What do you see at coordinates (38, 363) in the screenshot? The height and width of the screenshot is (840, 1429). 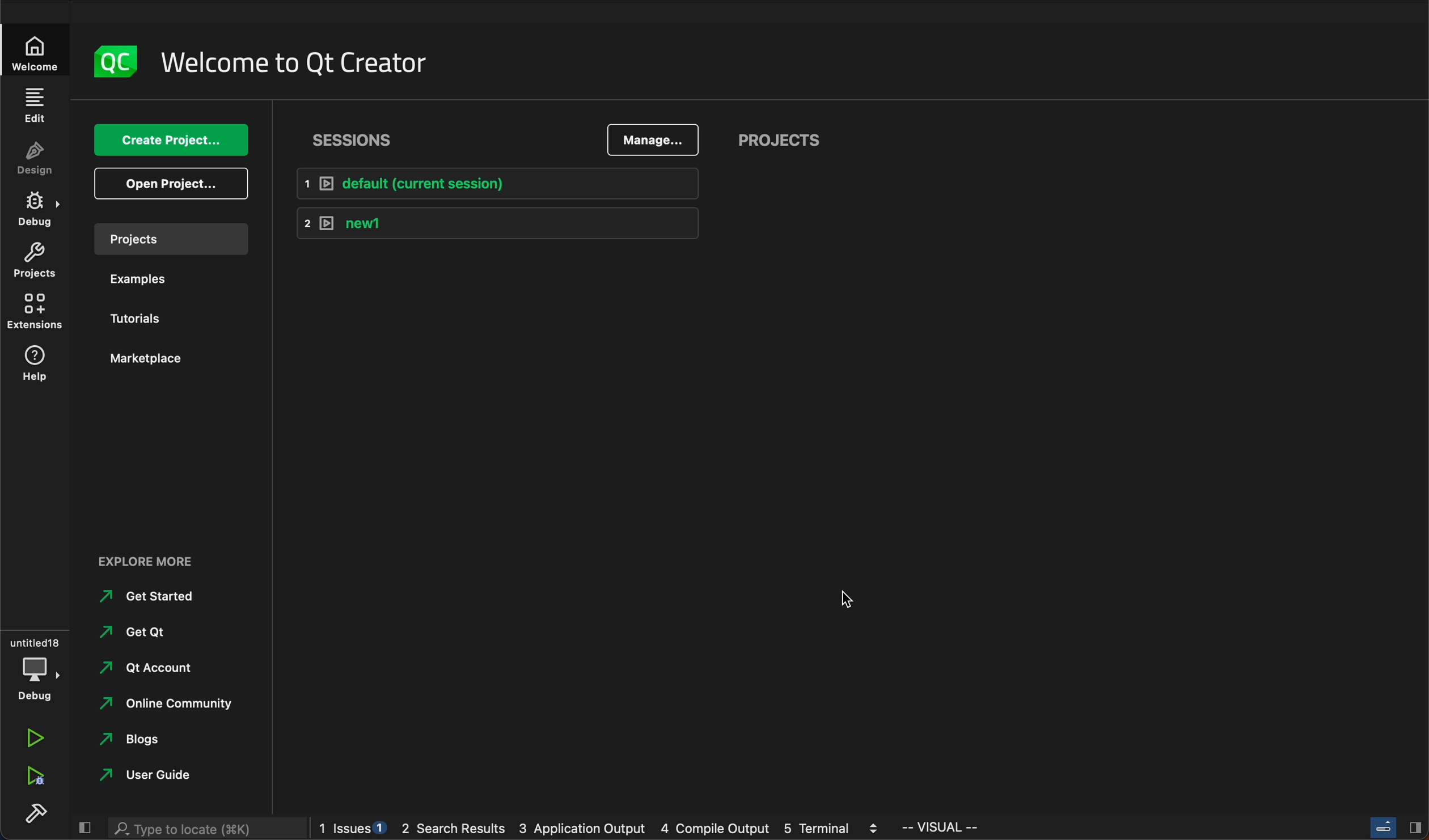 I see `help` at bounding box center [38, 363].